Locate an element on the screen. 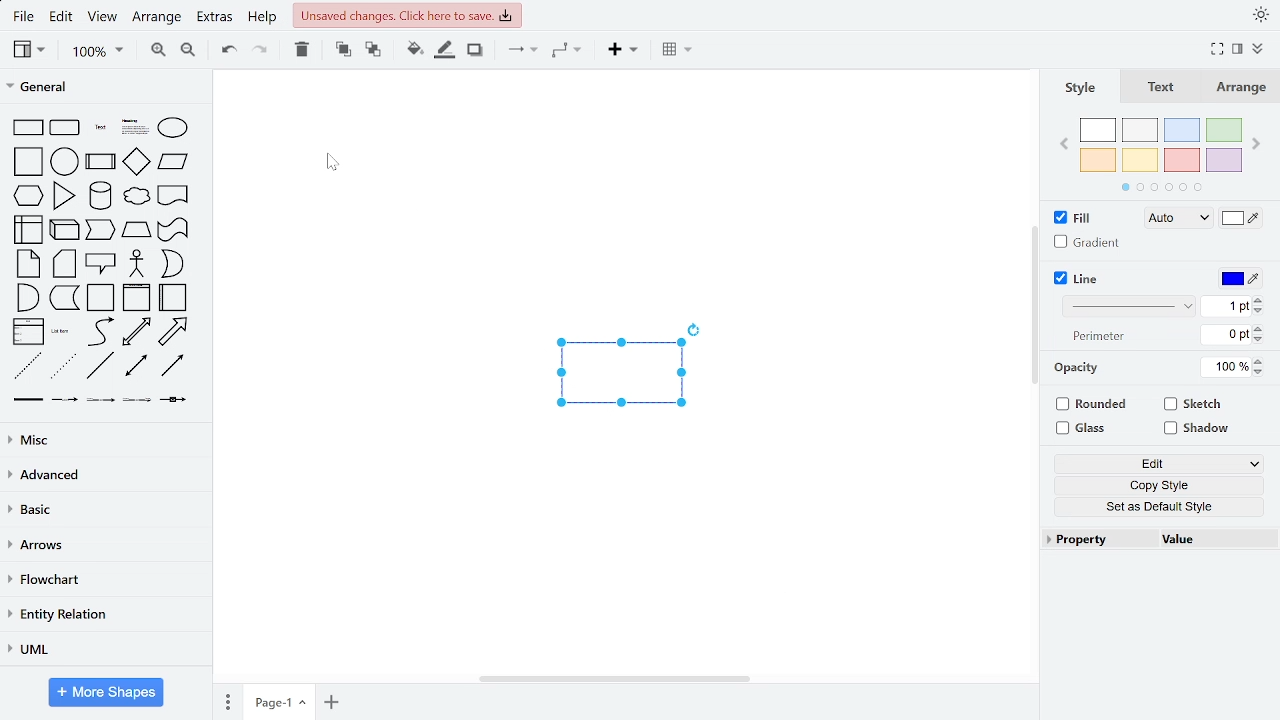 Image resolution: width=1280 pixels, height=720 pixels. previous is located at coordinates (1063, 144).